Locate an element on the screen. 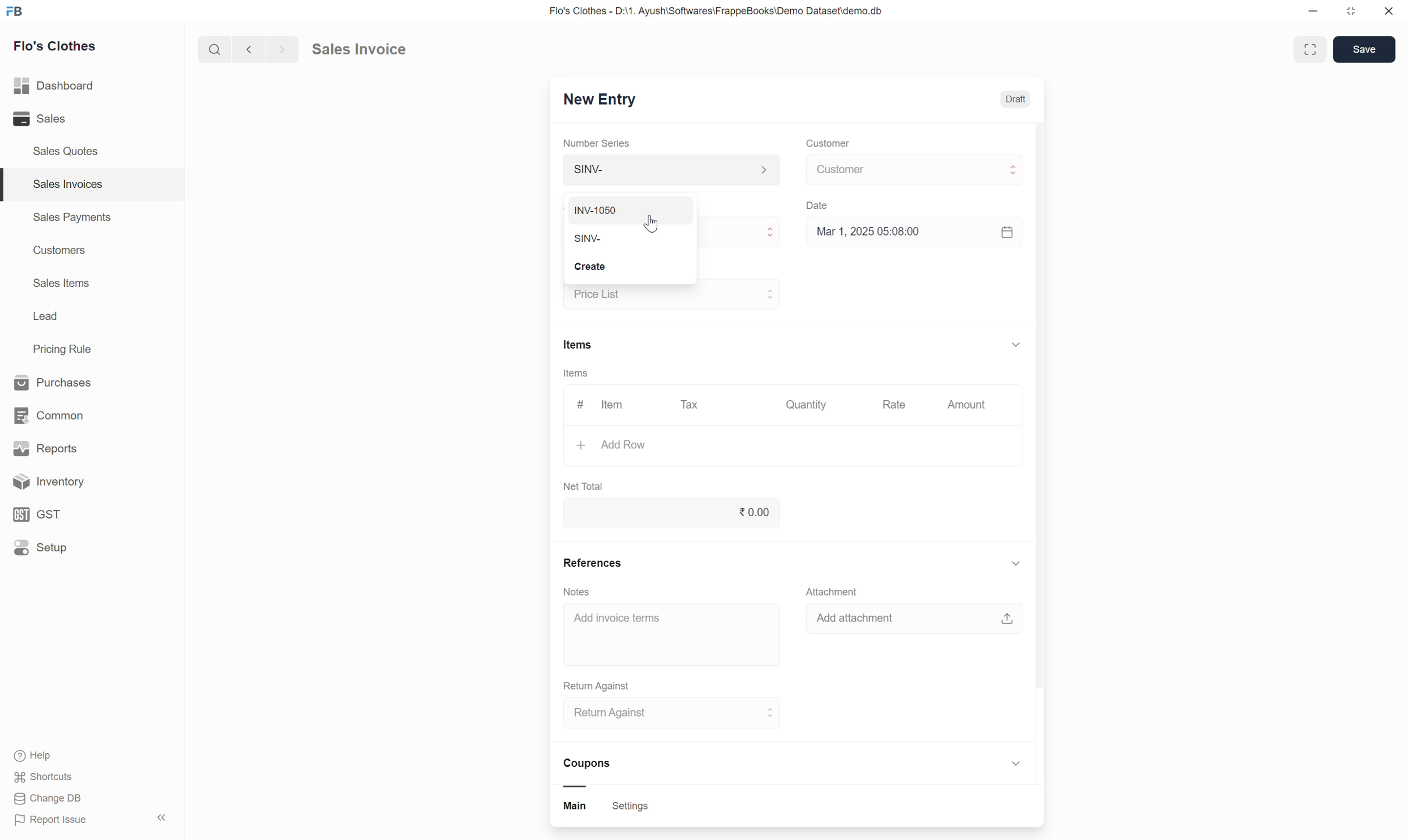 The height and width of the screenshot is (840, 1408). Sales Payments is located at coordinates (71, 219).